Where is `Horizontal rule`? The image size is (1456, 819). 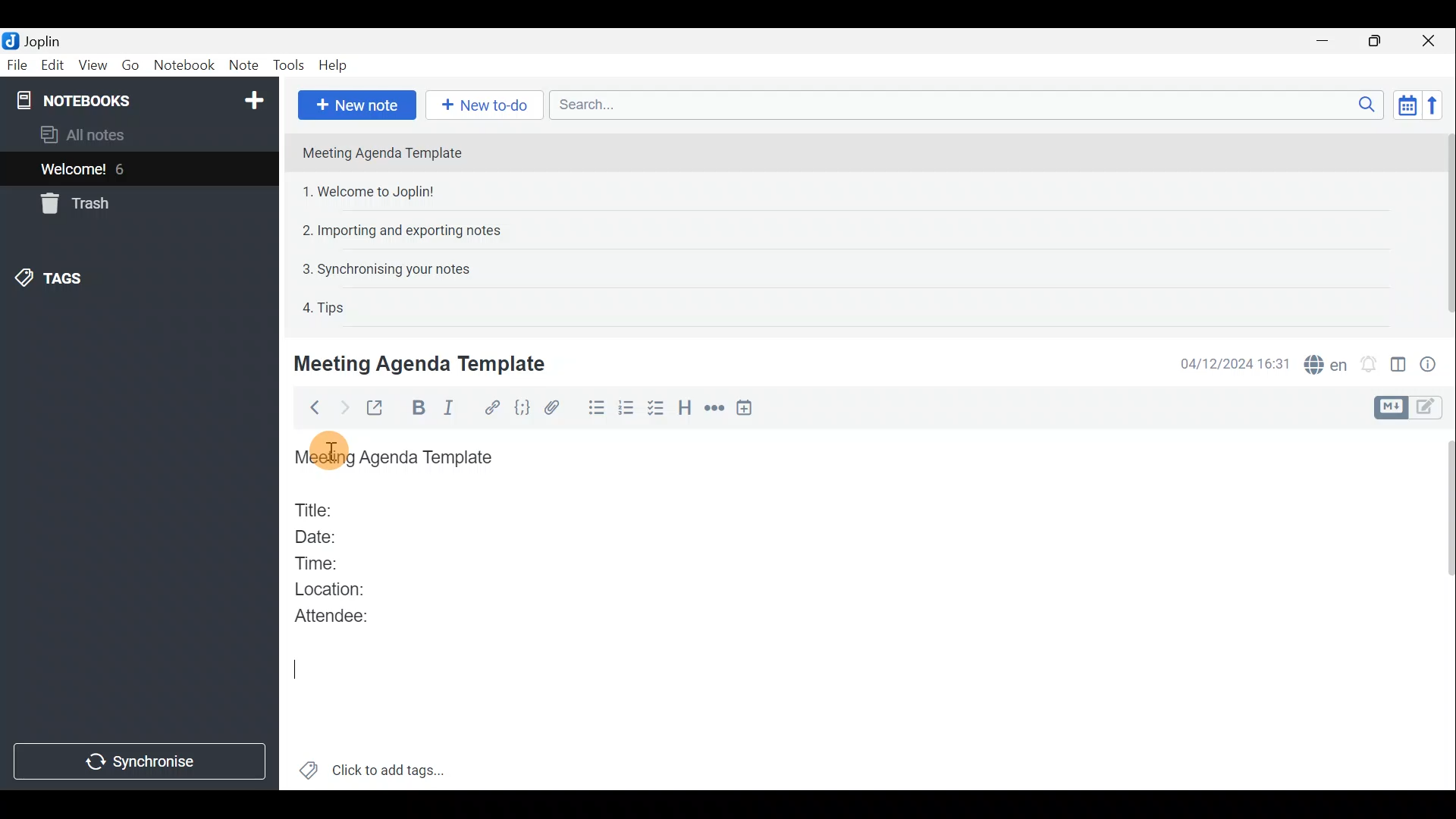
Horizontal rule is located at coordinates (716, 410).